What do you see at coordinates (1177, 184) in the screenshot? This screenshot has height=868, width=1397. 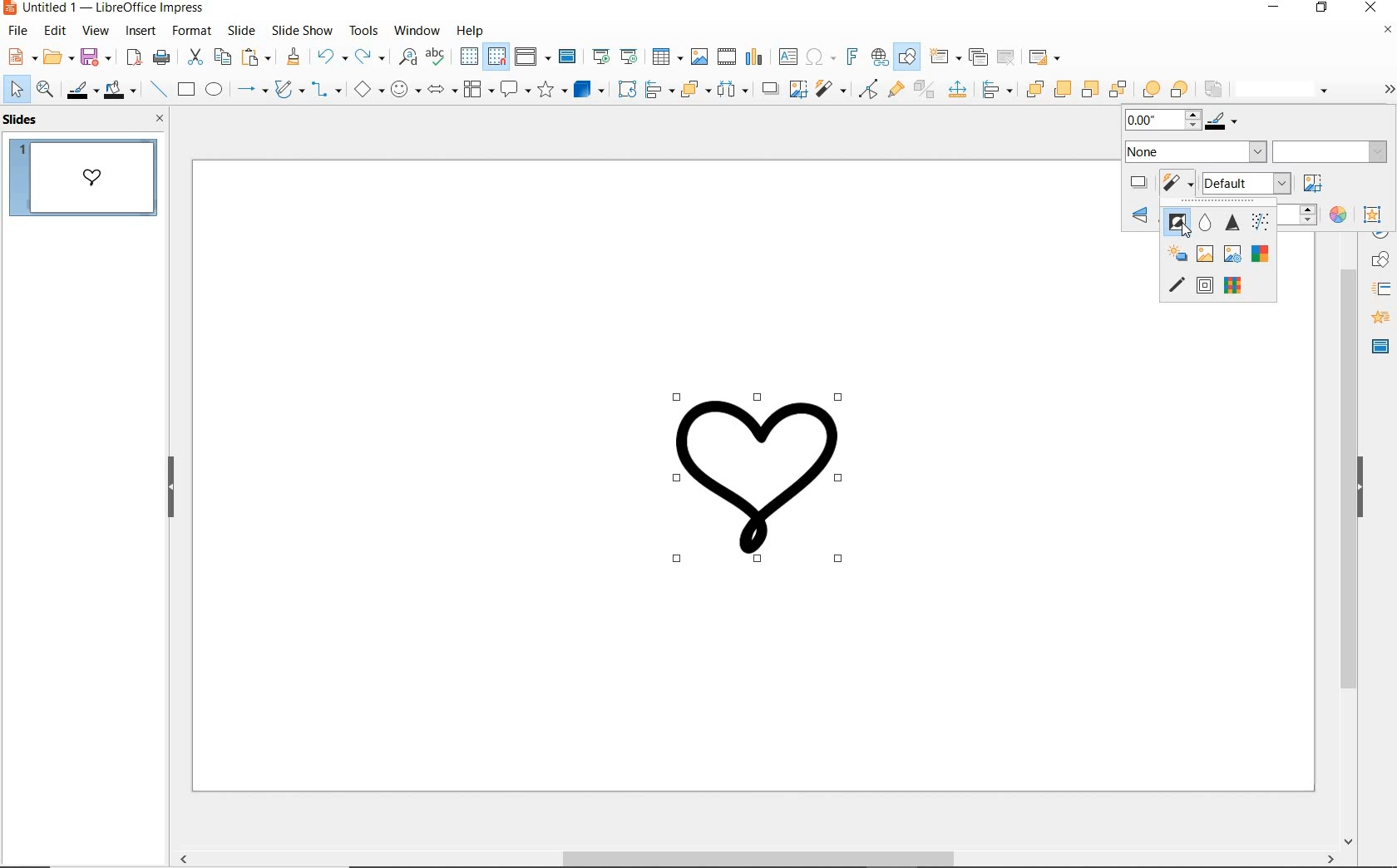 I see `filter` at bounding box center [1177, 184].